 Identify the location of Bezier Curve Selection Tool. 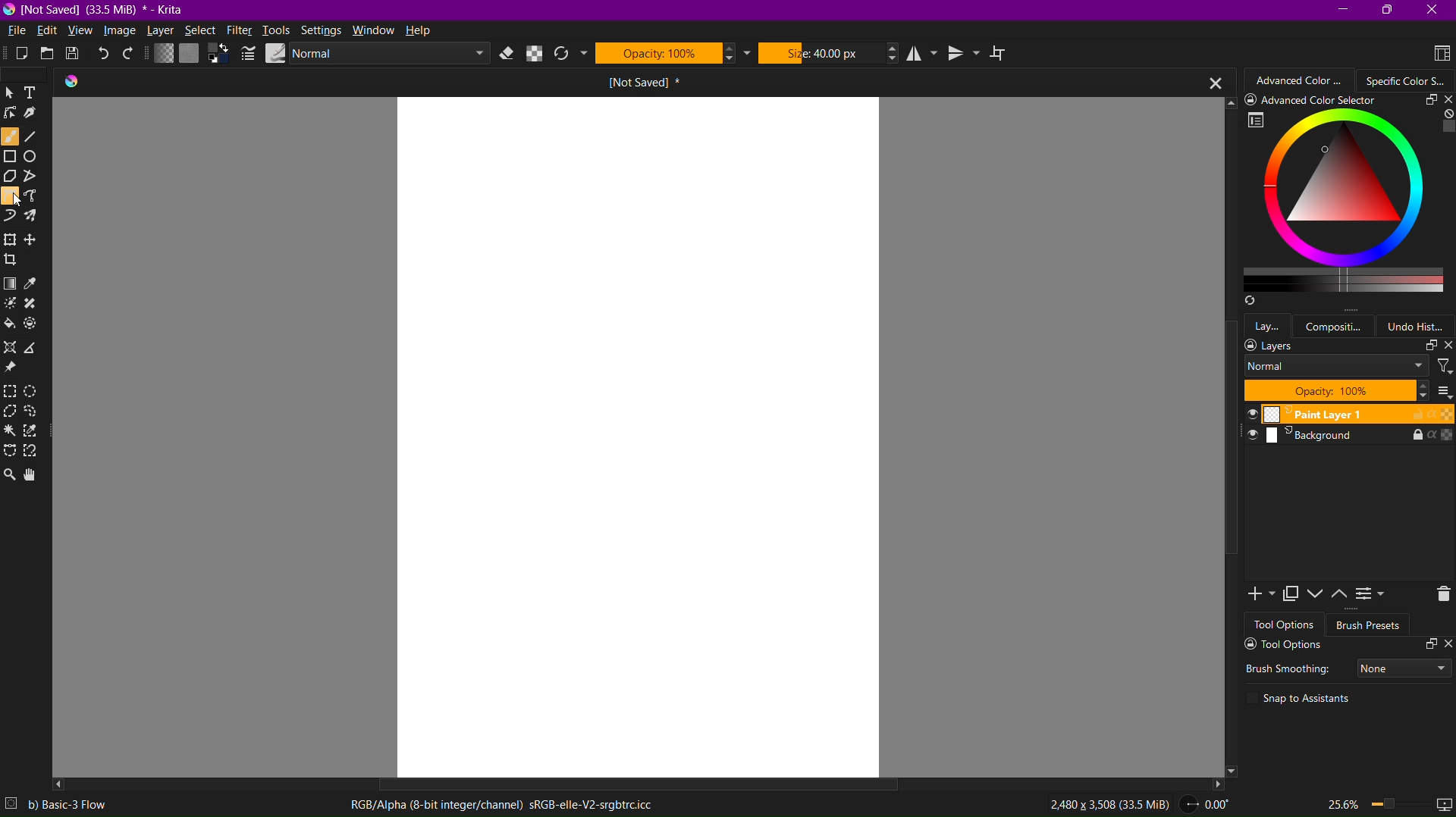
(11, 452).